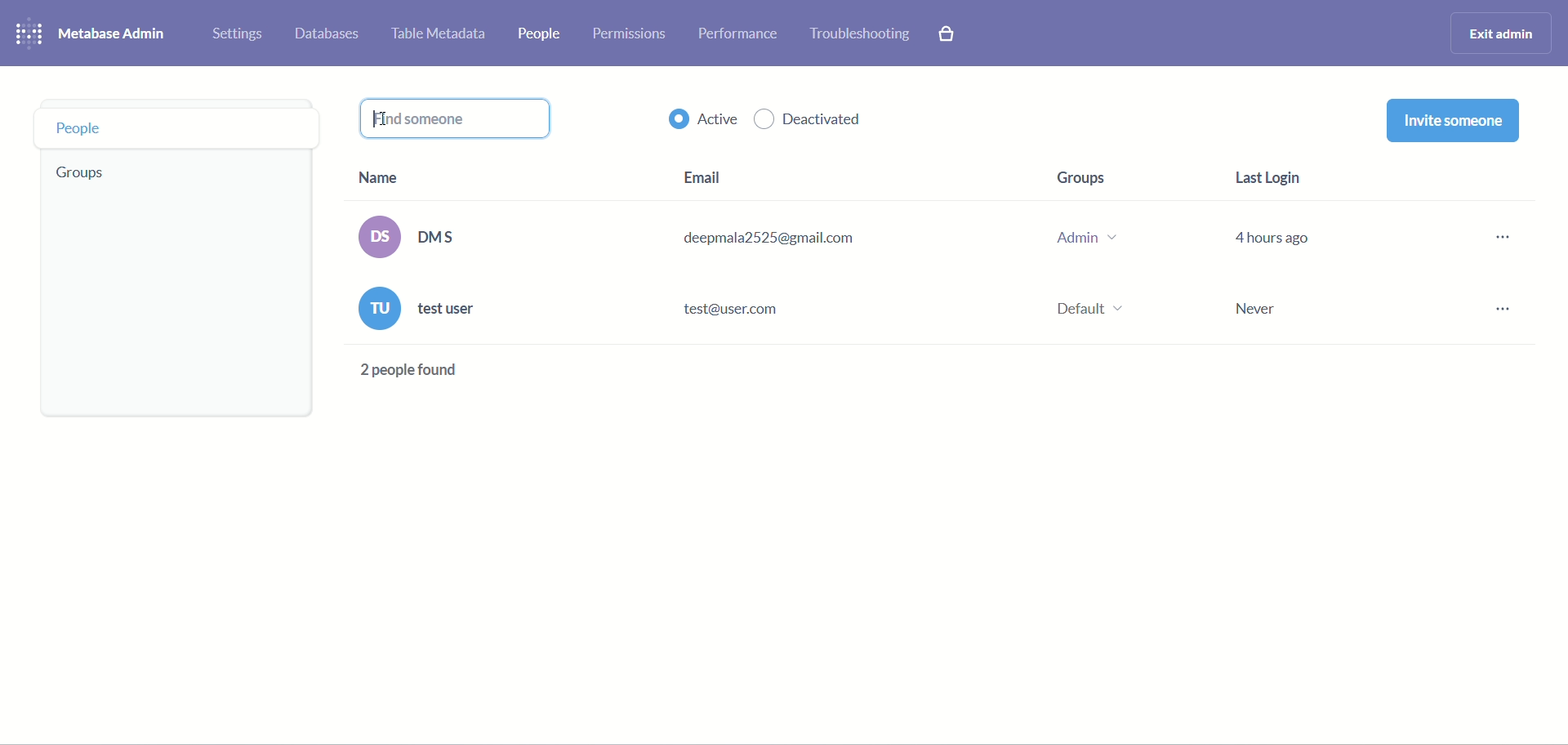 This screenshot has width=1568, height=745. What do you see at coordinates (332, 35) in the screenshot?
I see `databases` at bounding box center [332, 35].